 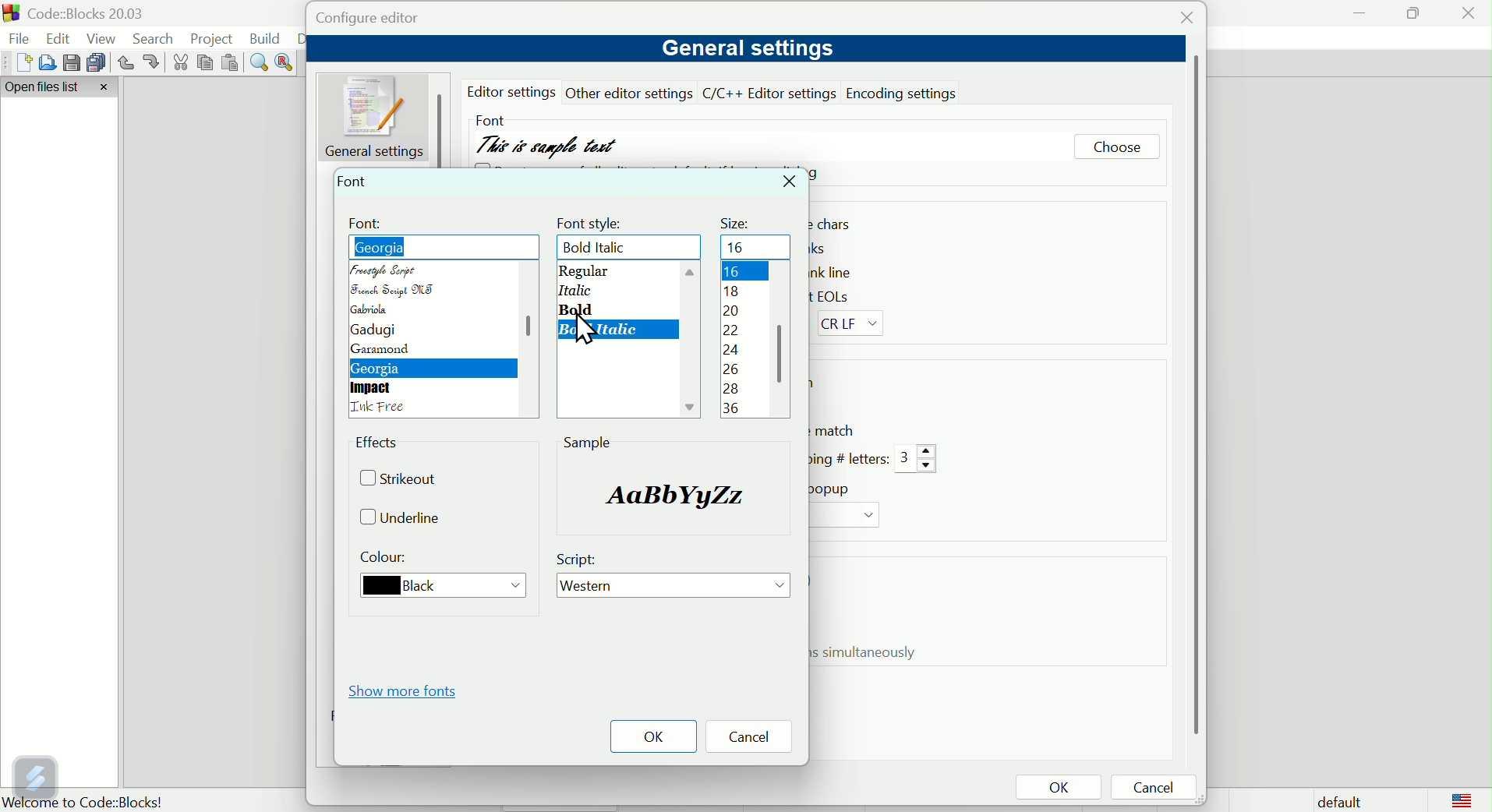 What do you see at coordinates (355, 180) in the screenshot?
I see `Font` at bounding box center [355, 180].